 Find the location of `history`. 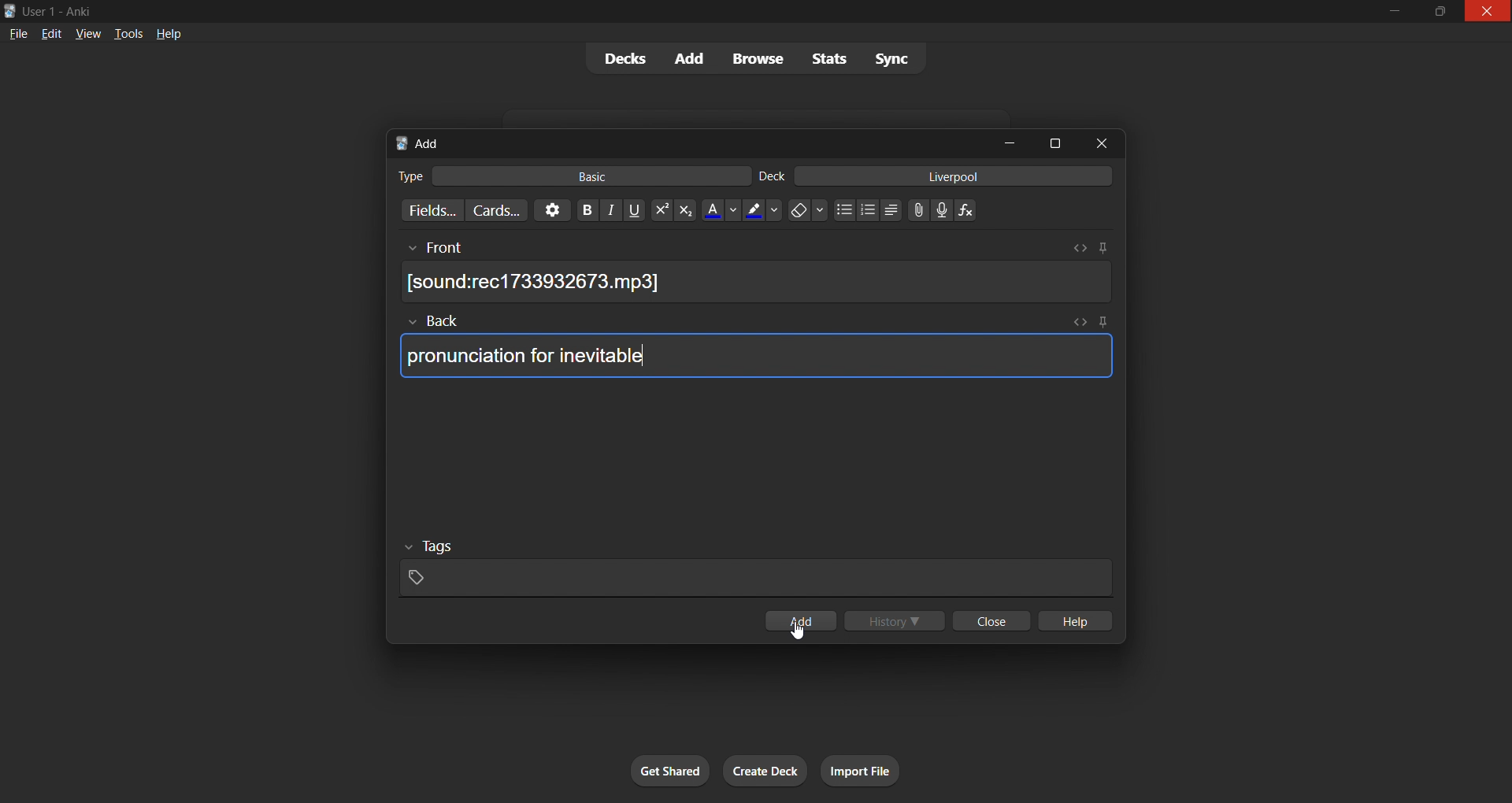

history is located at coordinates (896, 623).